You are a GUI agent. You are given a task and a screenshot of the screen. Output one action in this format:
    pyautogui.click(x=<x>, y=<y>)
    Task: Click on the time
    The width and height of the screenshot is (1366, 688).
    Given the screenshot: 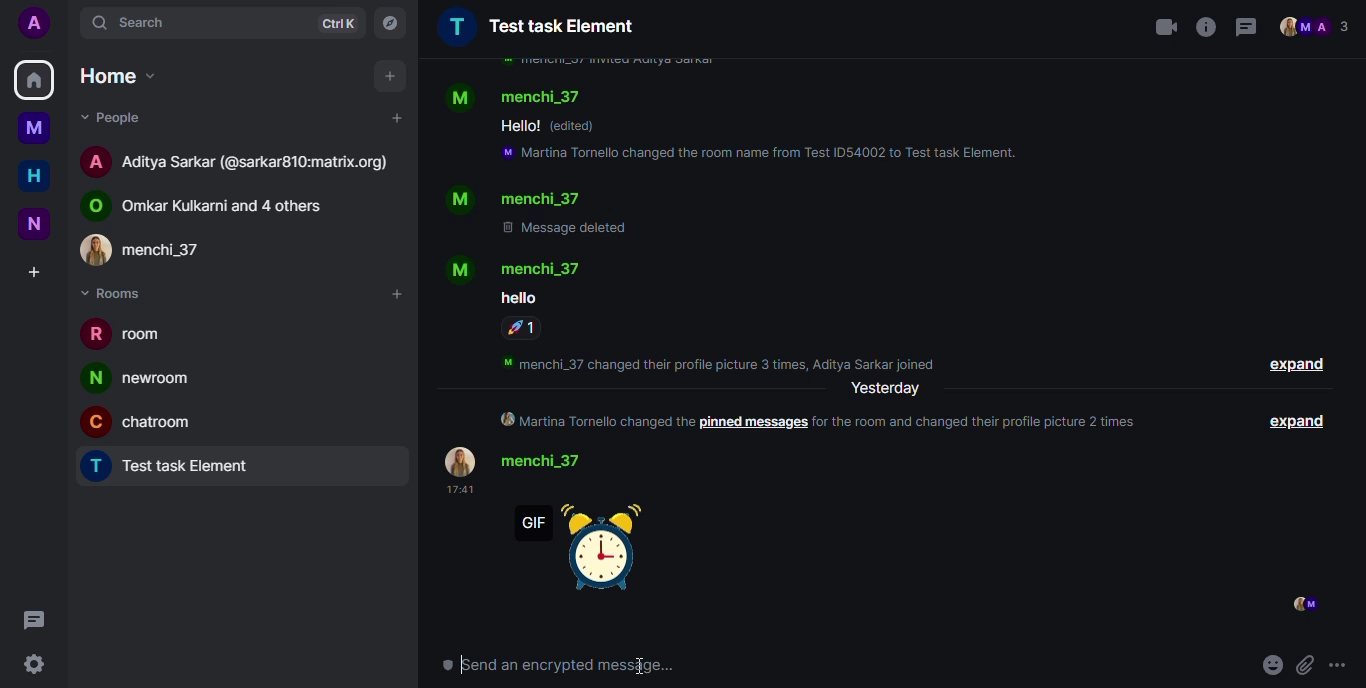 What is the action you would take?
    pyautogui.click(x=457, y=490)
    